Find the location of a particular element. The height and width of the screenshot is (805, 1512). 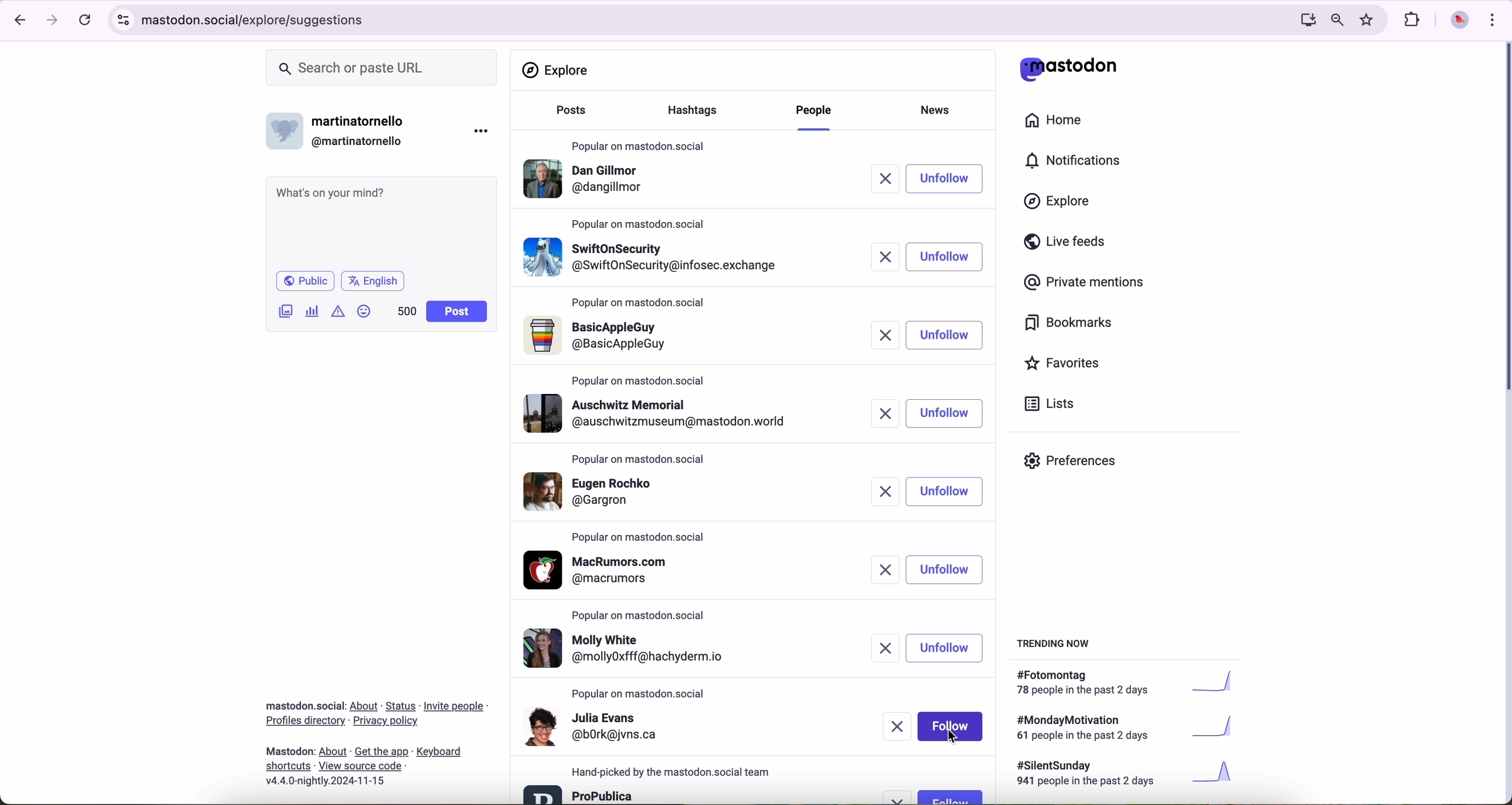

trending now is located at coordinates (1055, 642).